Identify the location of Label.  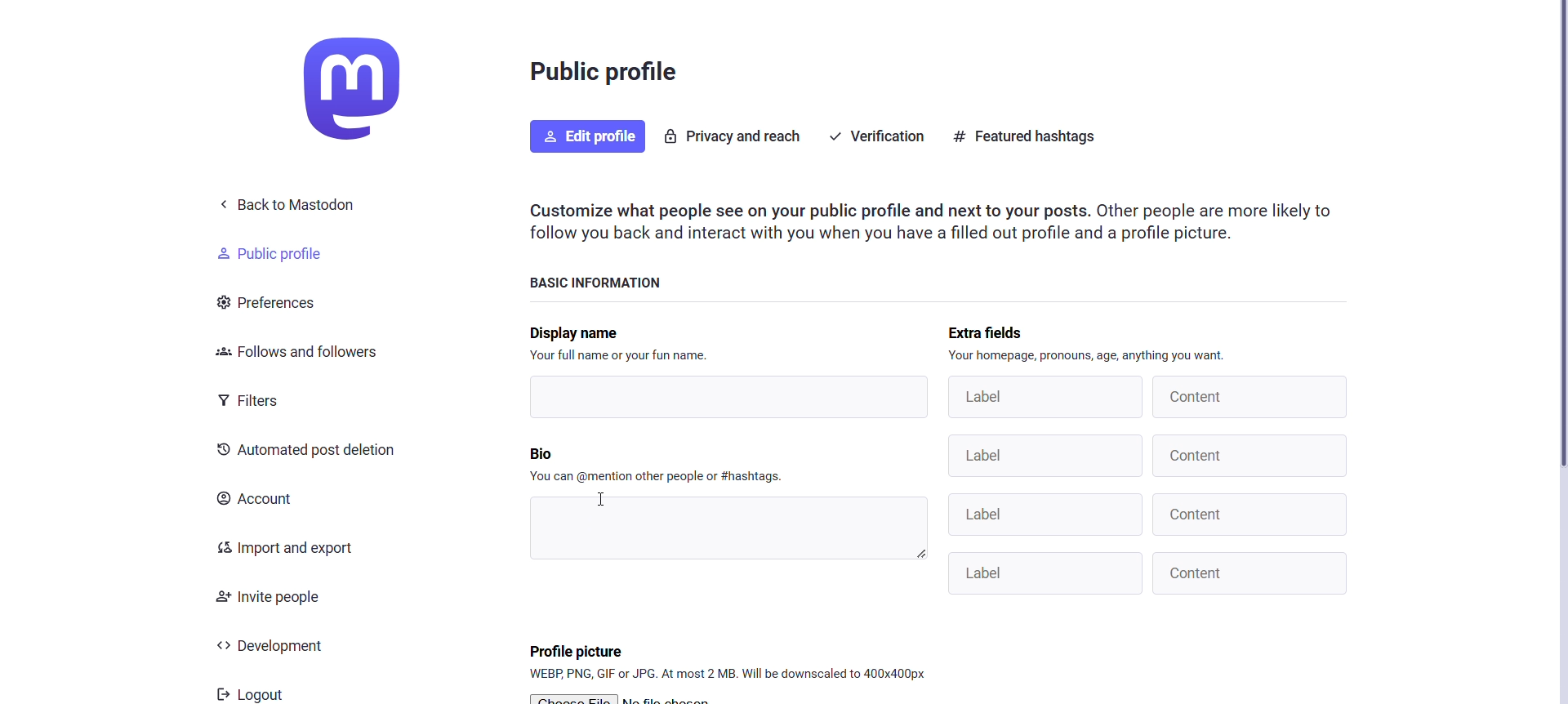
(1045, 516).